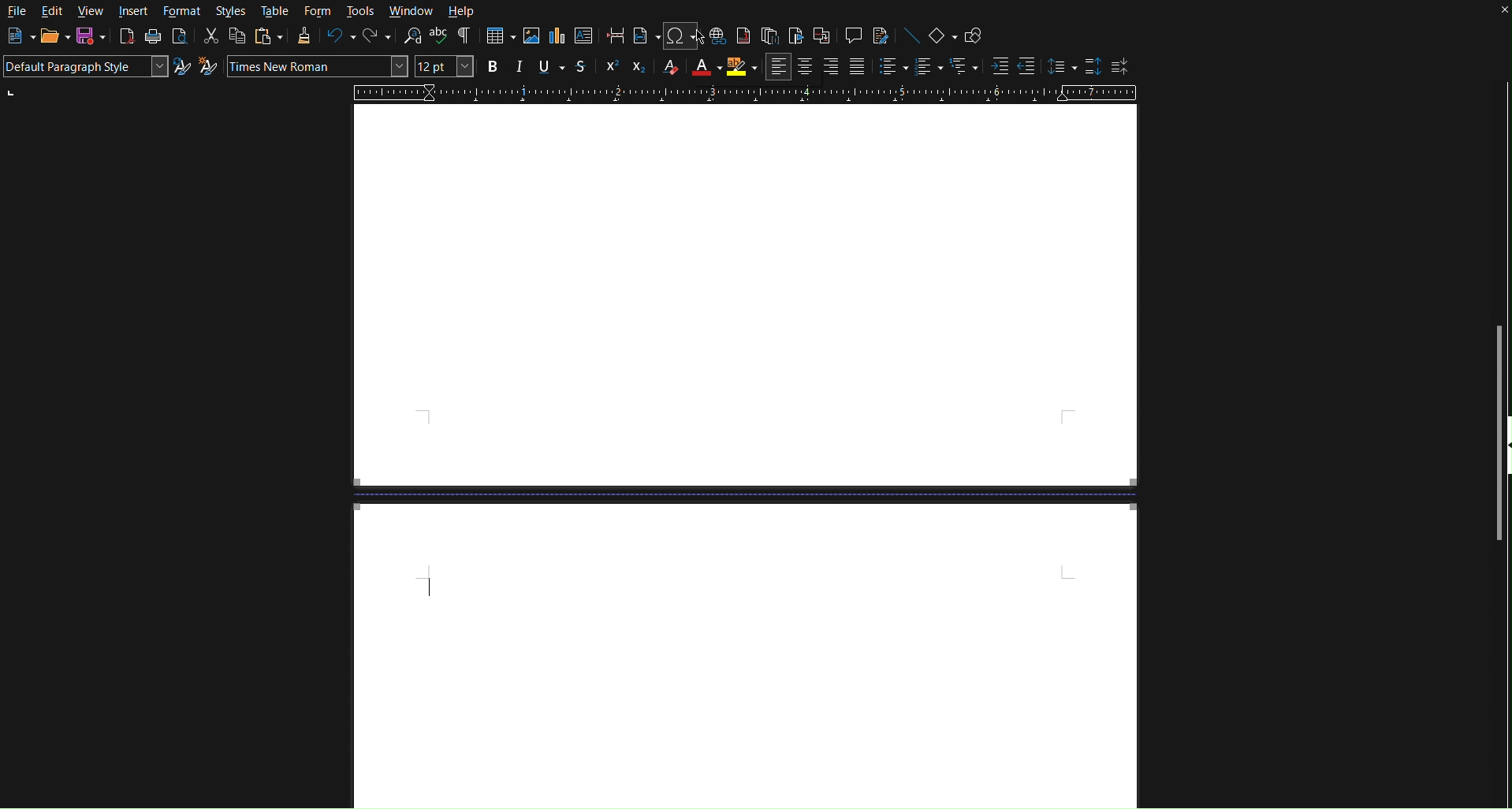 The image size is (1512, 809). I want to click on Insert Field, so click(642, 36).